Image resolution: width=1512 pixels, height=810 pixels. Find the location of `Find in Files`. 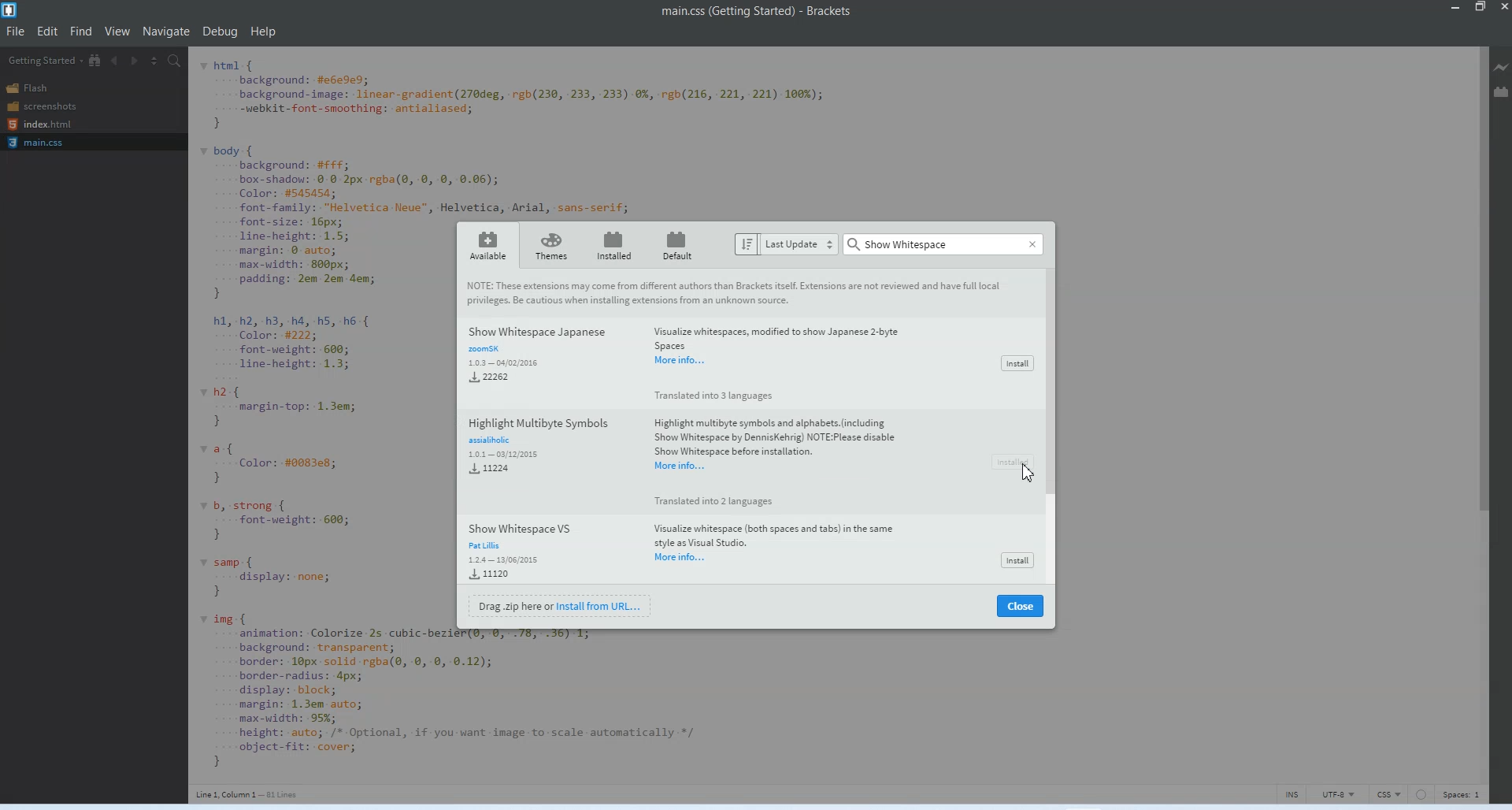

Find in Files is located at coordinates (176, 60).